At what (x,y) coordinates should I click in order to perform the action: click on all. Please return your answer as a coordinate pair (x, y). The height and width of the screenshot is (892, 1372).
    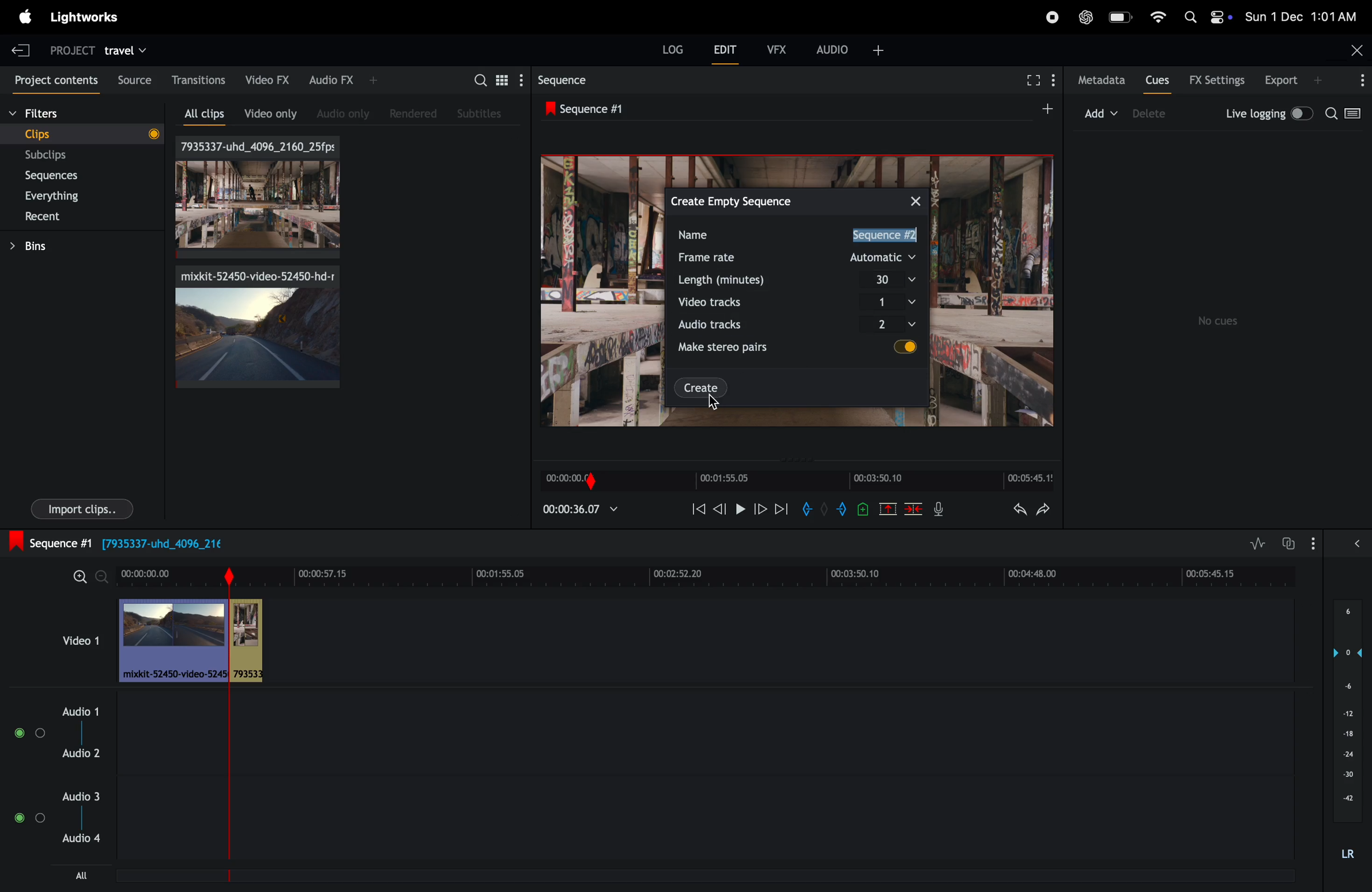
    Looking at the image, I should click on (82, 875).